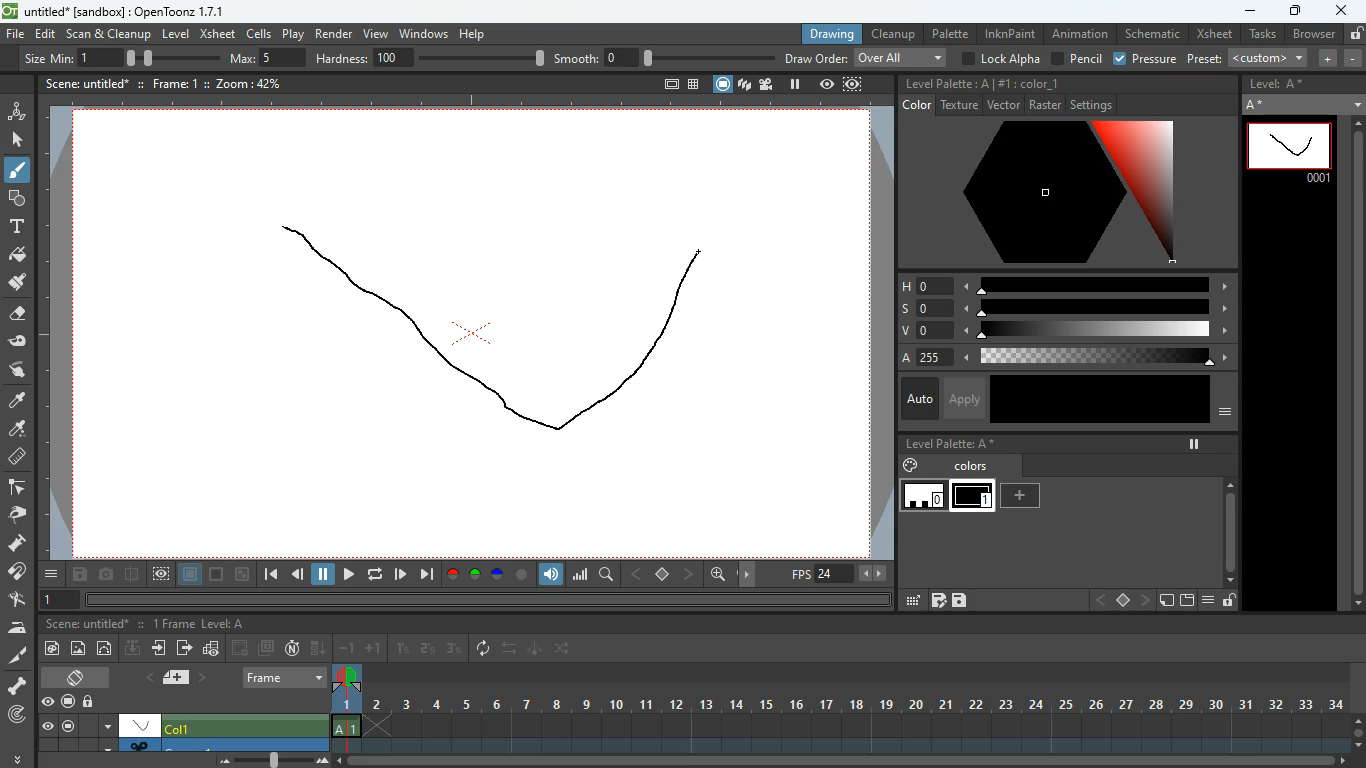  Describe the element at coordinates (298, 577) in the screenshot. I see `back` at that location.